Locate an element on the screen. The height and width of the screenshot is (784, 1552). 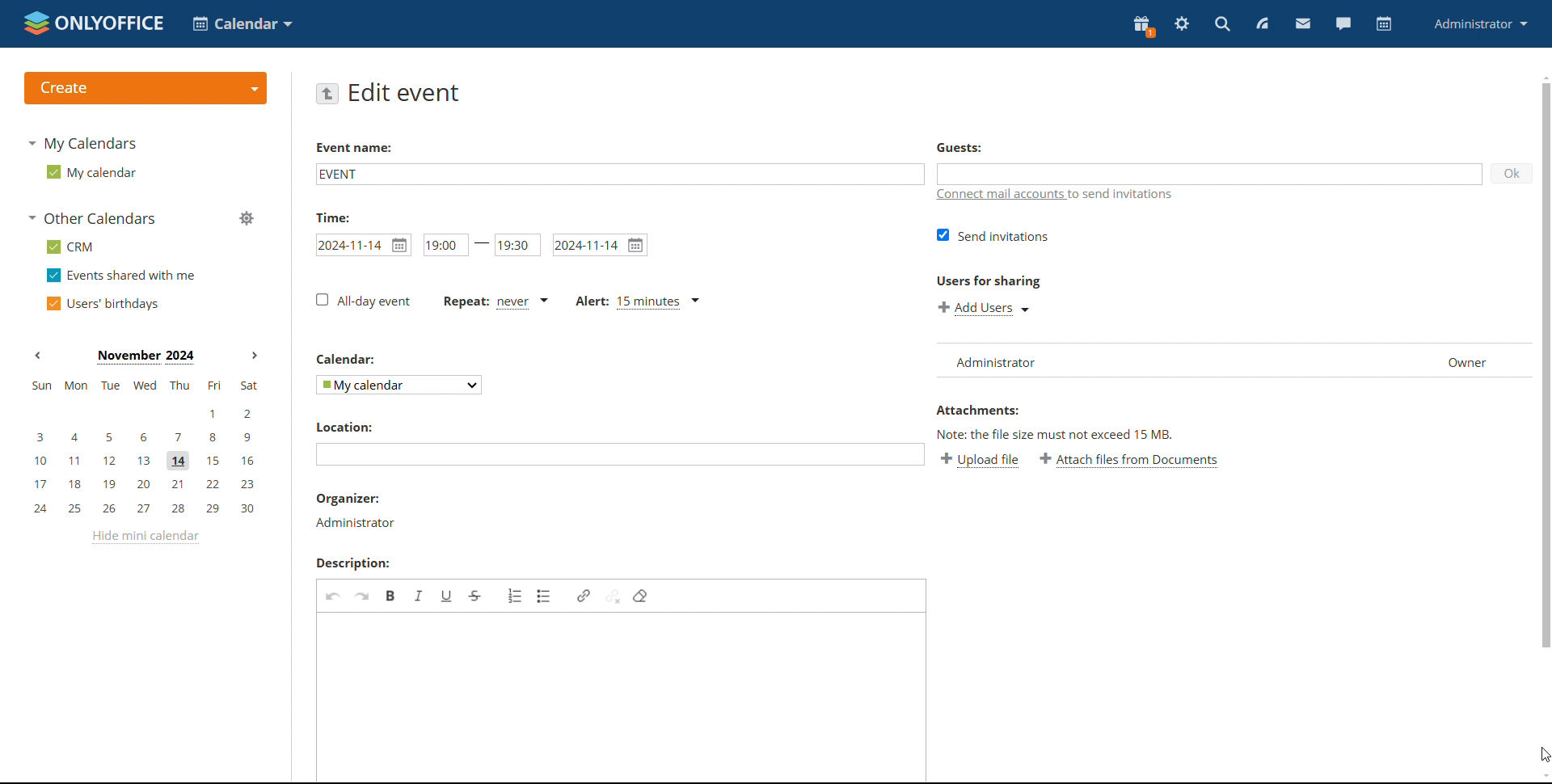
present is located at coordinates (1141, 27).